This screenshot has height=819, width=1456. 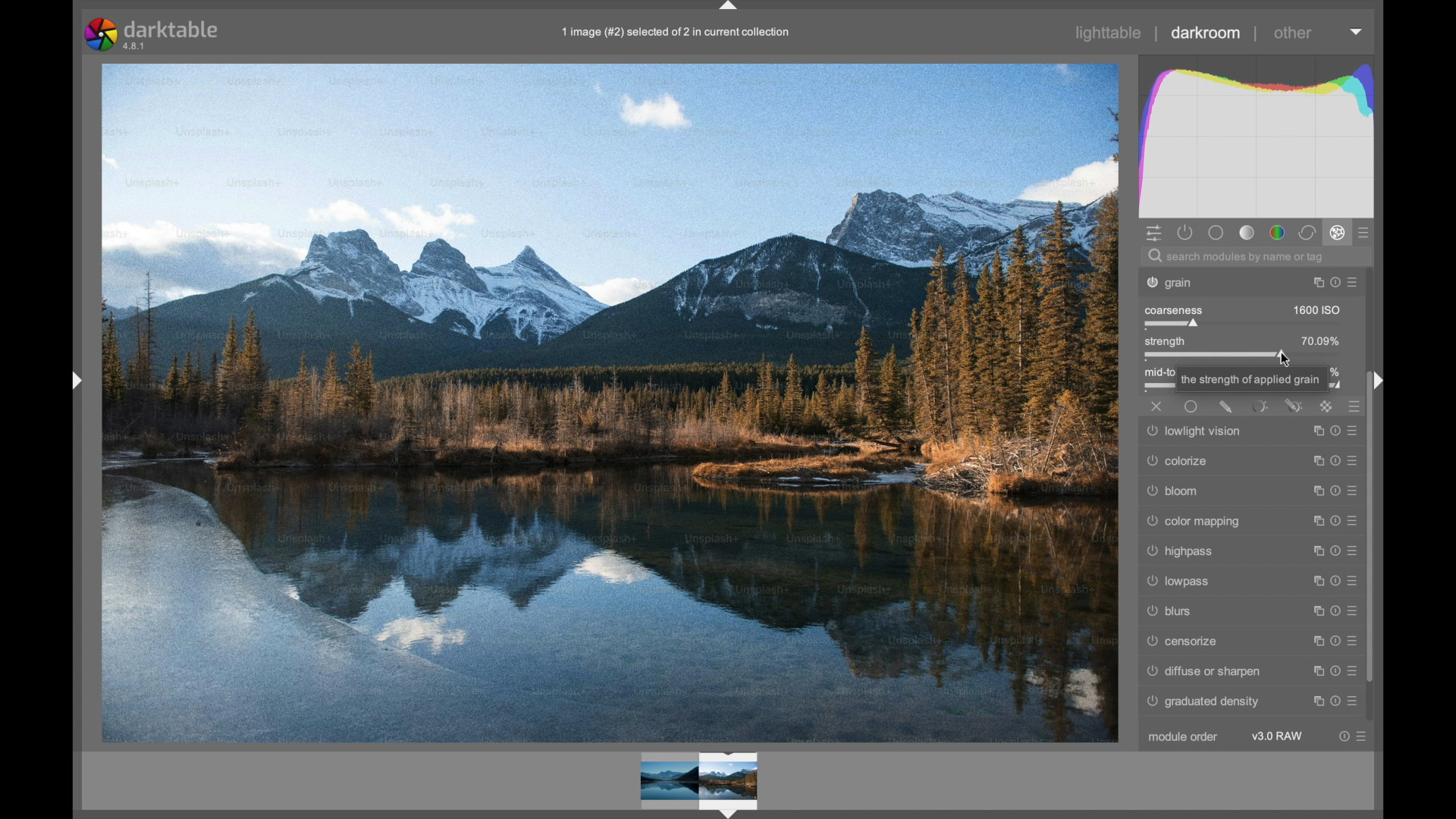 What do you see at coordinates (1250, 380) in the screenshot?
I see `the strength of applied grain` at bounding box center [1250, 380].